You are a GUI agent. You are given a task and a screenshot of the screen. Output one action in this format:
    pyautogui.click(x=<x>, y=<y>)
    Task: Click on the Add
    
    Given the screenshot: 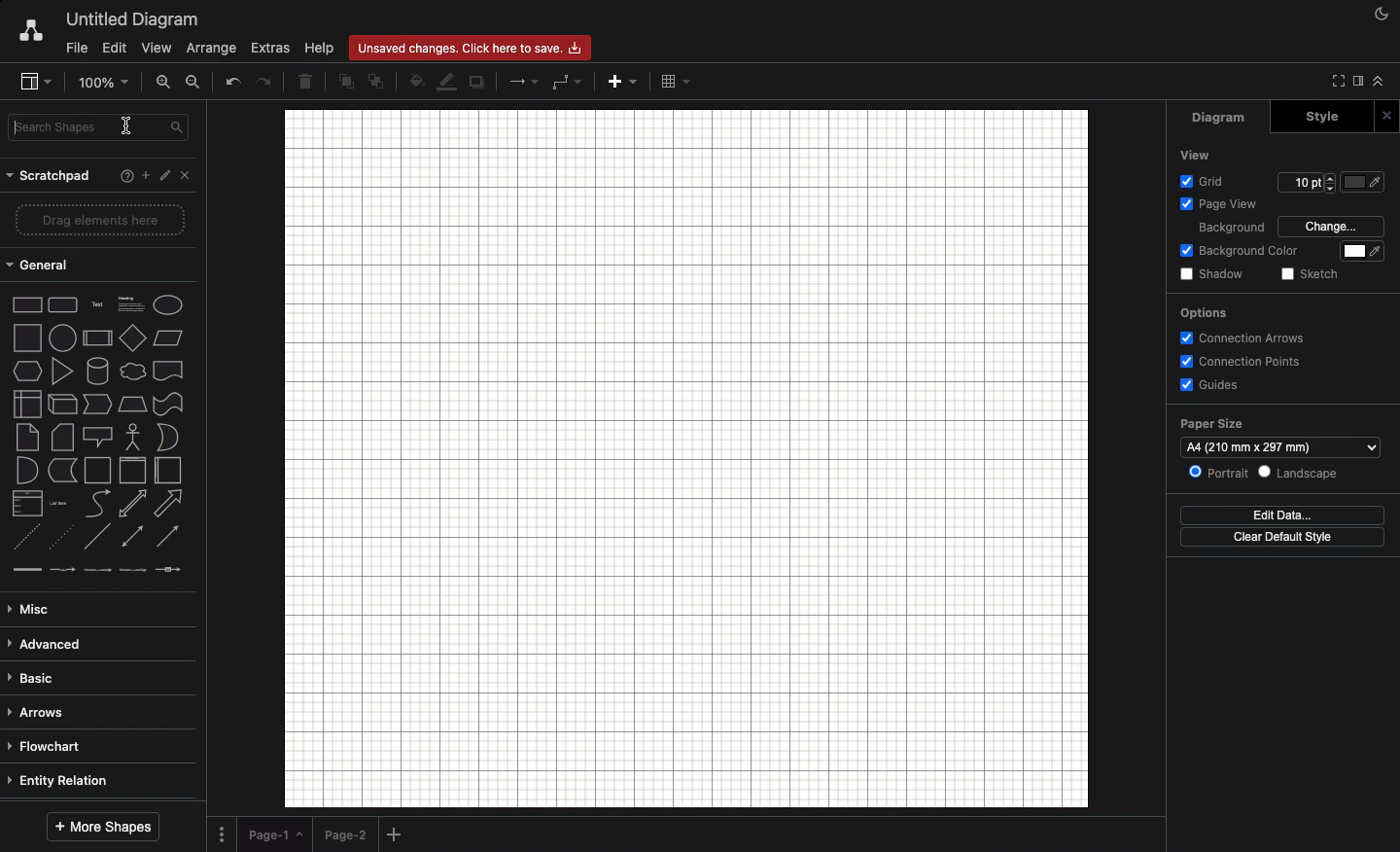 What is the action you would take?
    pyautogui.click(x=397, y=835)
    